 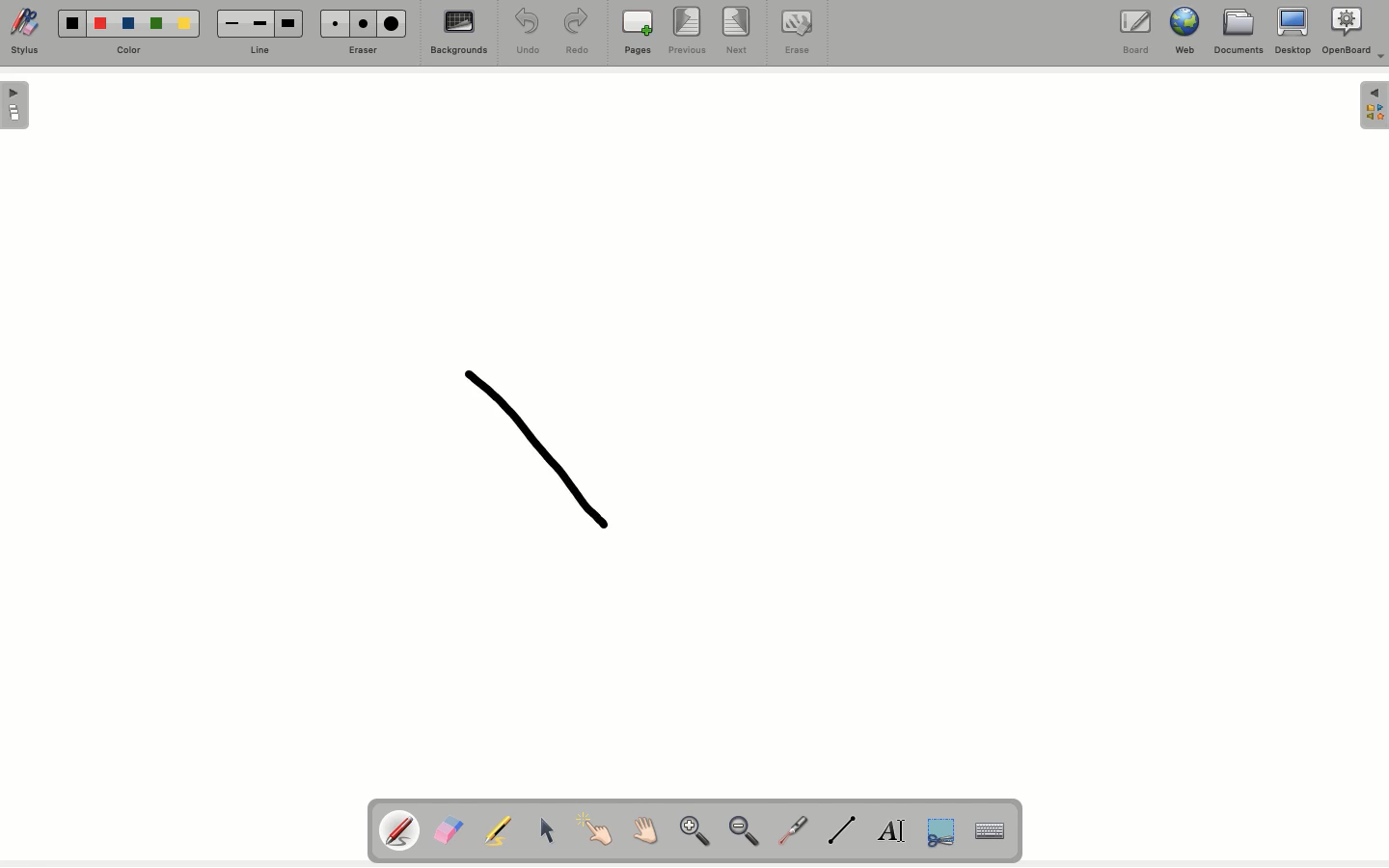 What do you see at coordinates (336, 23) in the screenshot?
I see `Small` at bounding box center [336, 23].